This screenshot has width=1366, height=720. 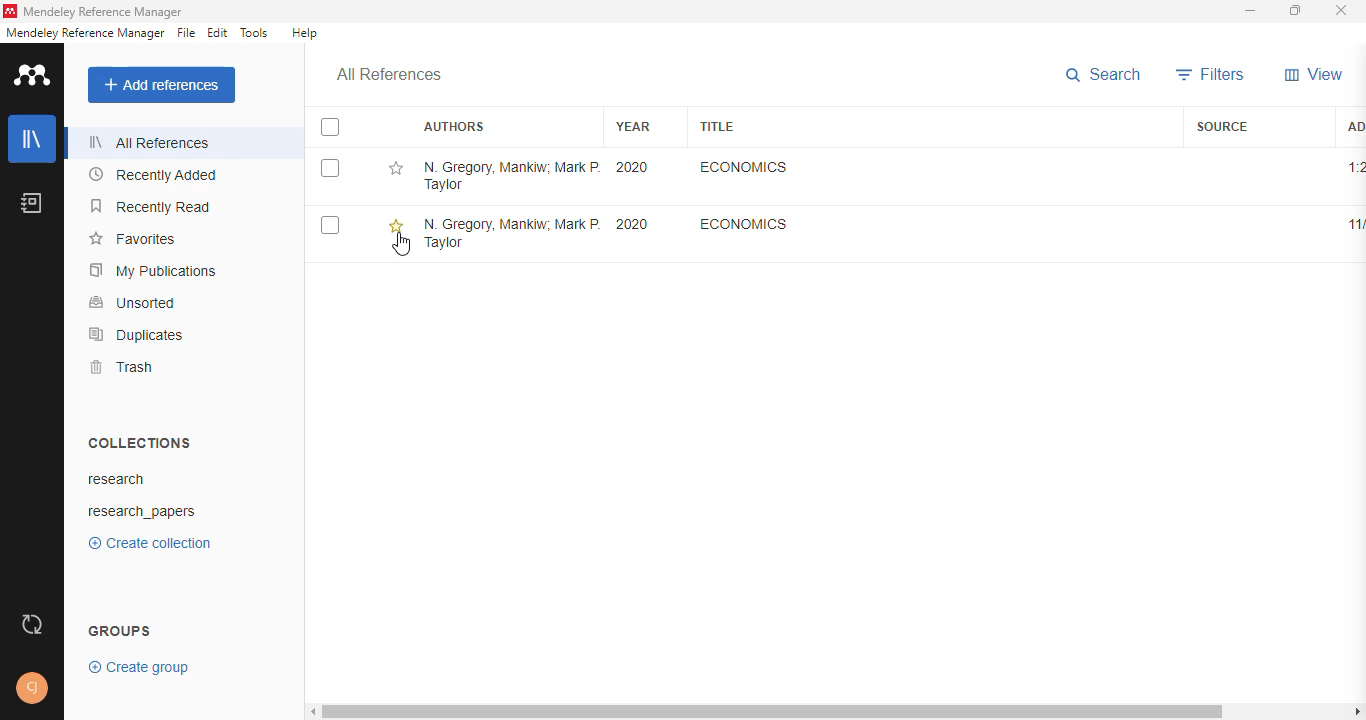 What do you see at coordinates (744, 167) in the screenshot?
I see `economics` at bounding box center [744, 167].